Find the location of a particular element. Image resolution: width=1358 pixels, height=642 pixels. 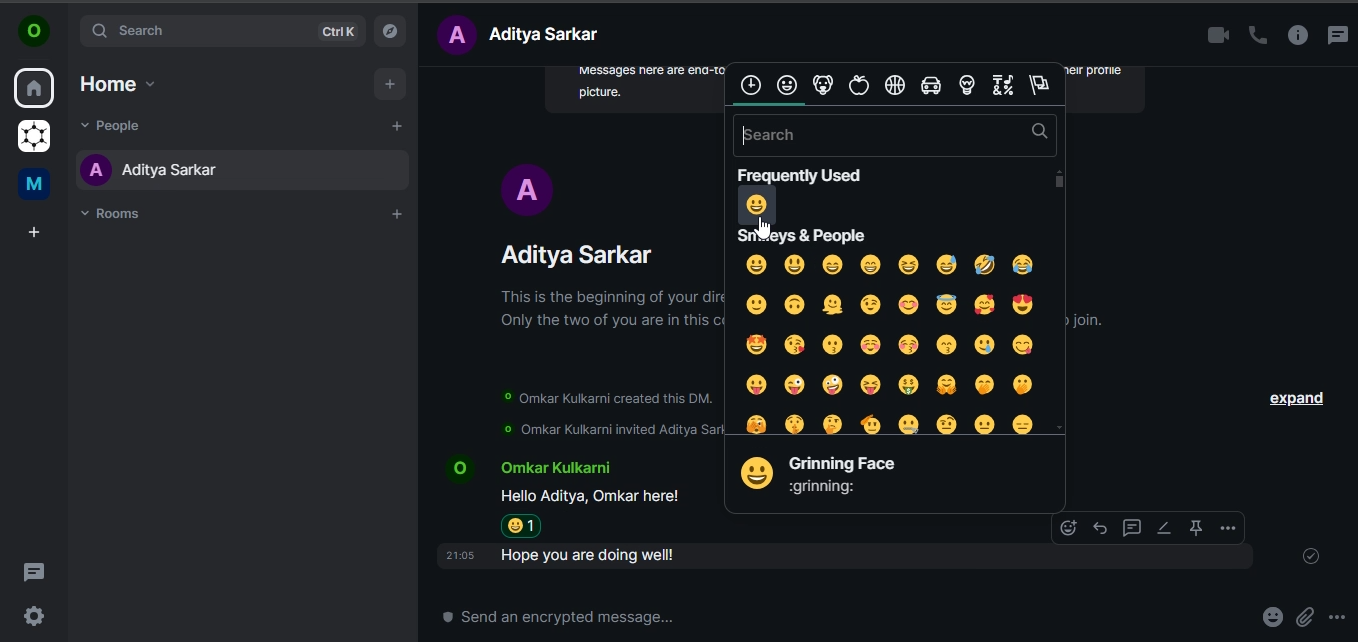

text is located at coordinates (524, 34).